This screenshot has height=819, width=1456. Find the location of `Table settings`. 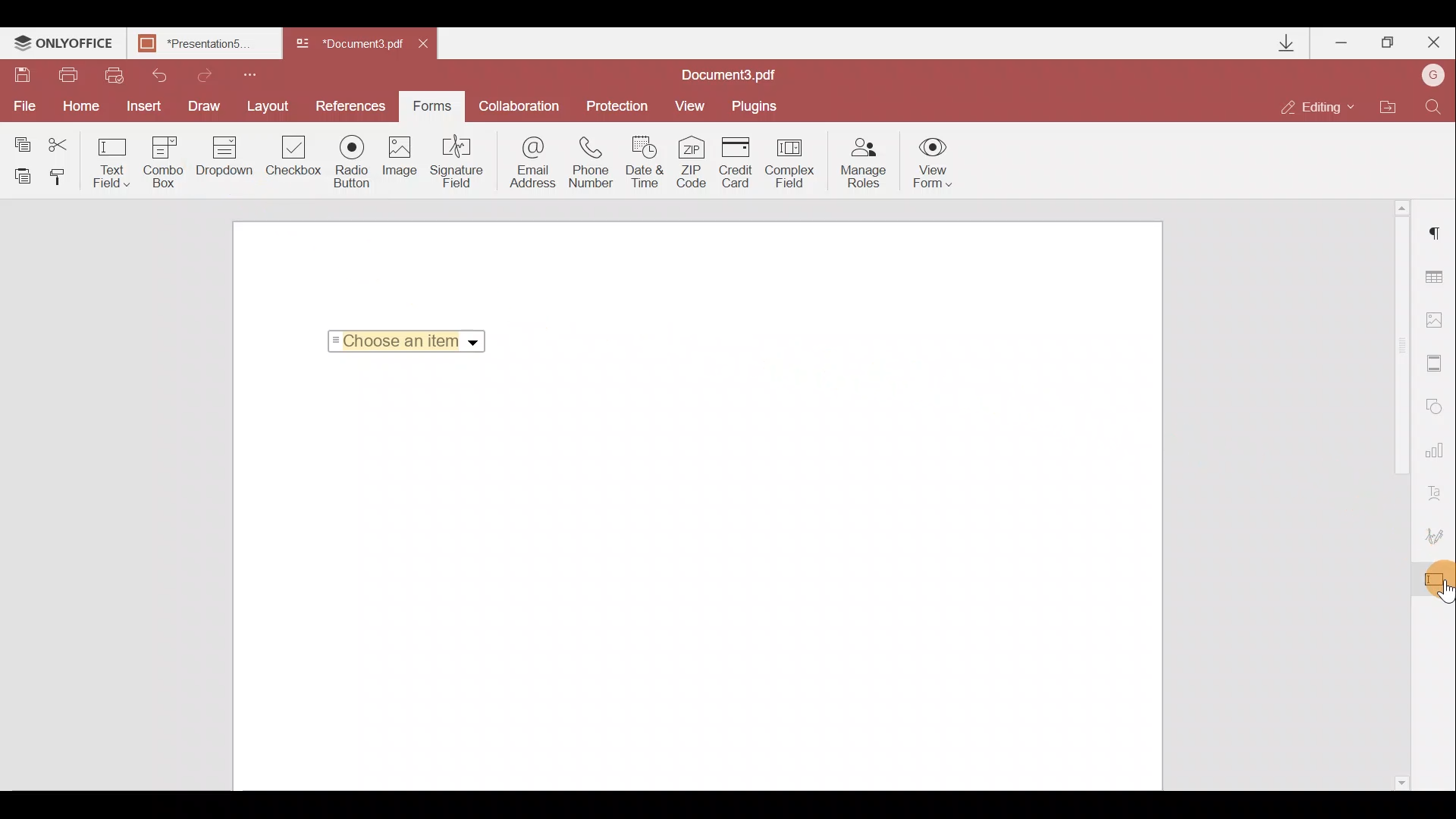

Table settings is located at coordinates (1441, 277).